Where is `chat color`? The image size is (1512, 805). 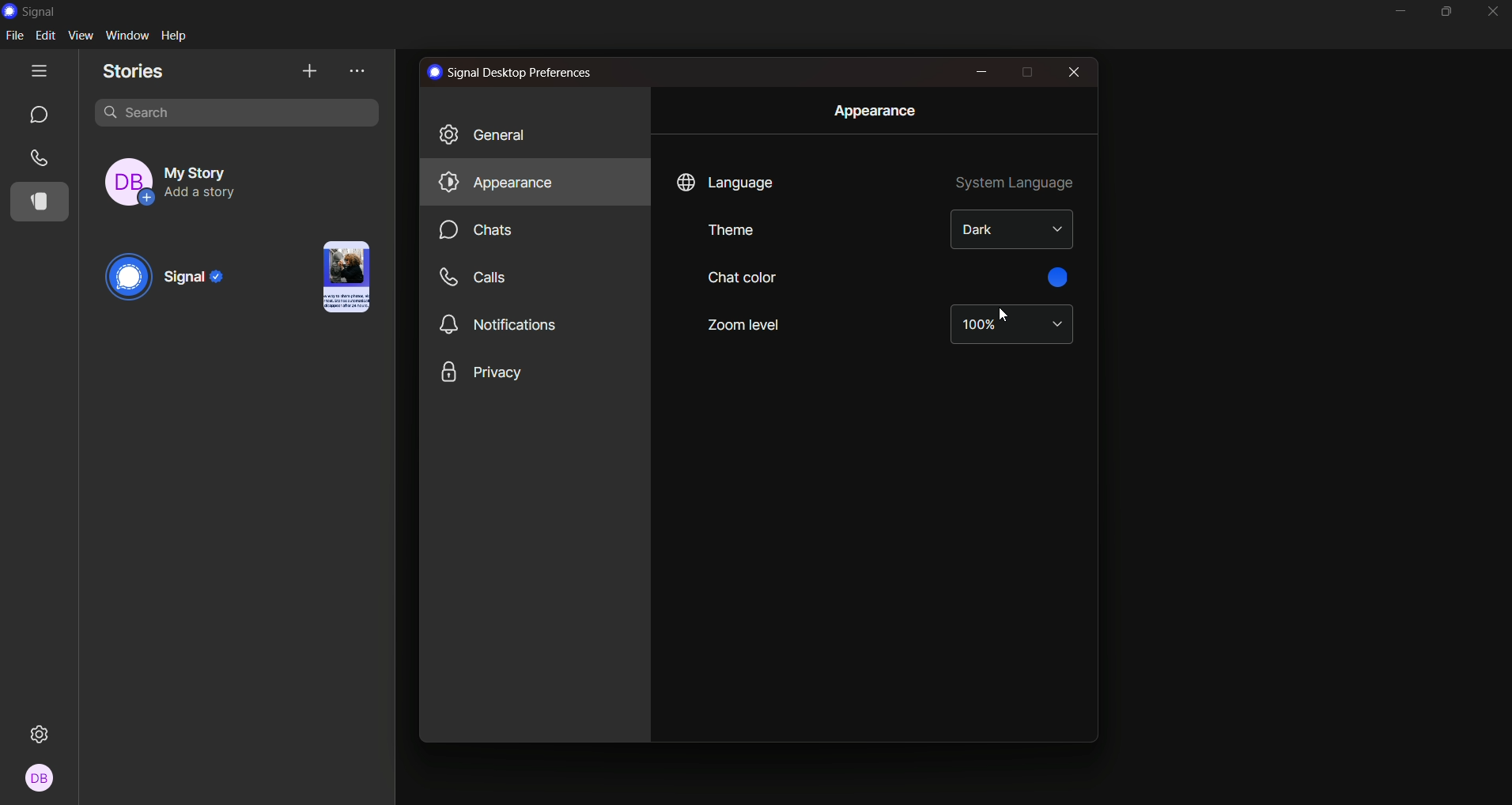
chat color is located at coordinates (742, 276).